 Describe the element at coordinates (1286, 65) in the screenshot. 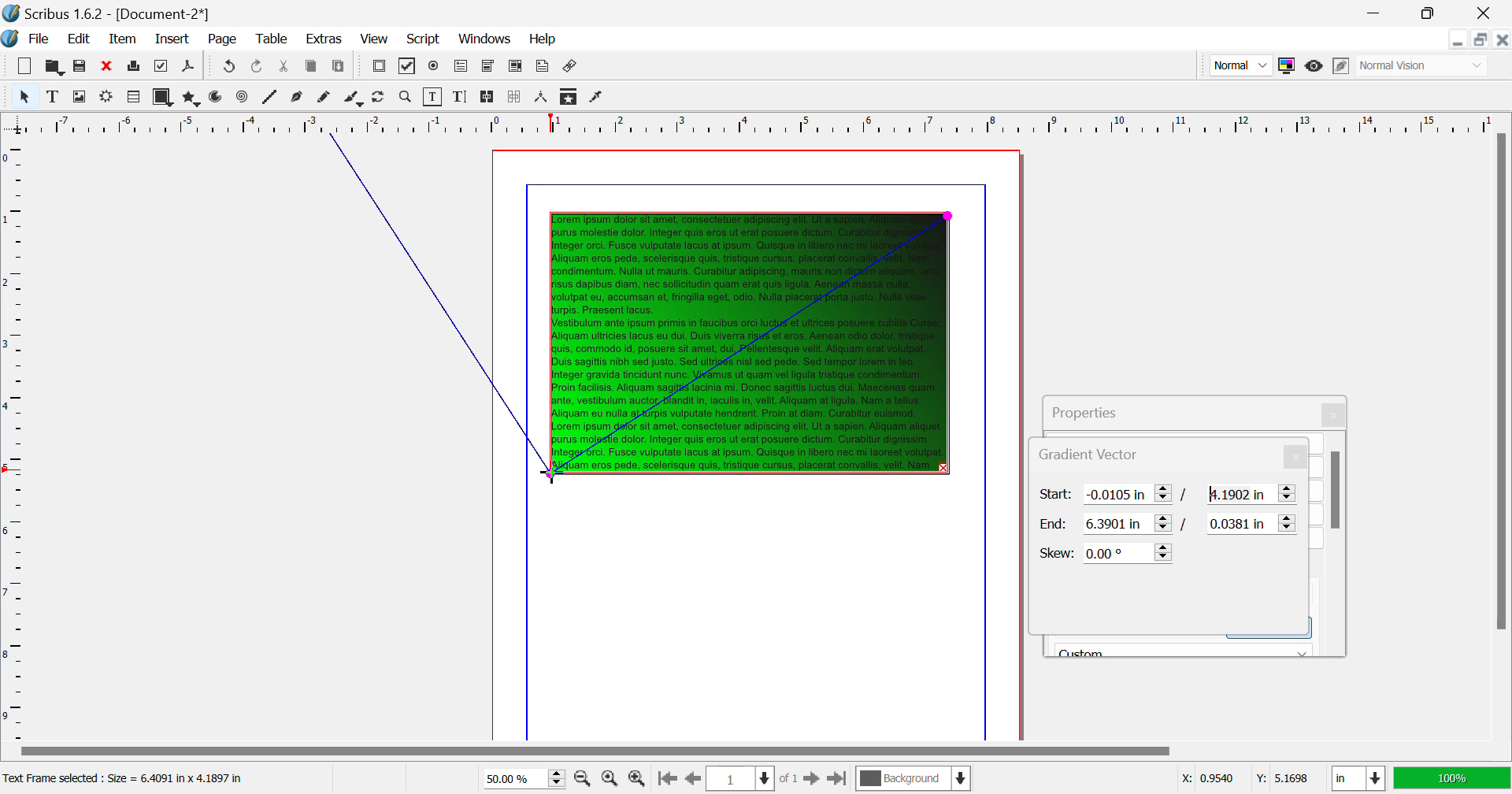

I see `Toggle Color Management` at that location.